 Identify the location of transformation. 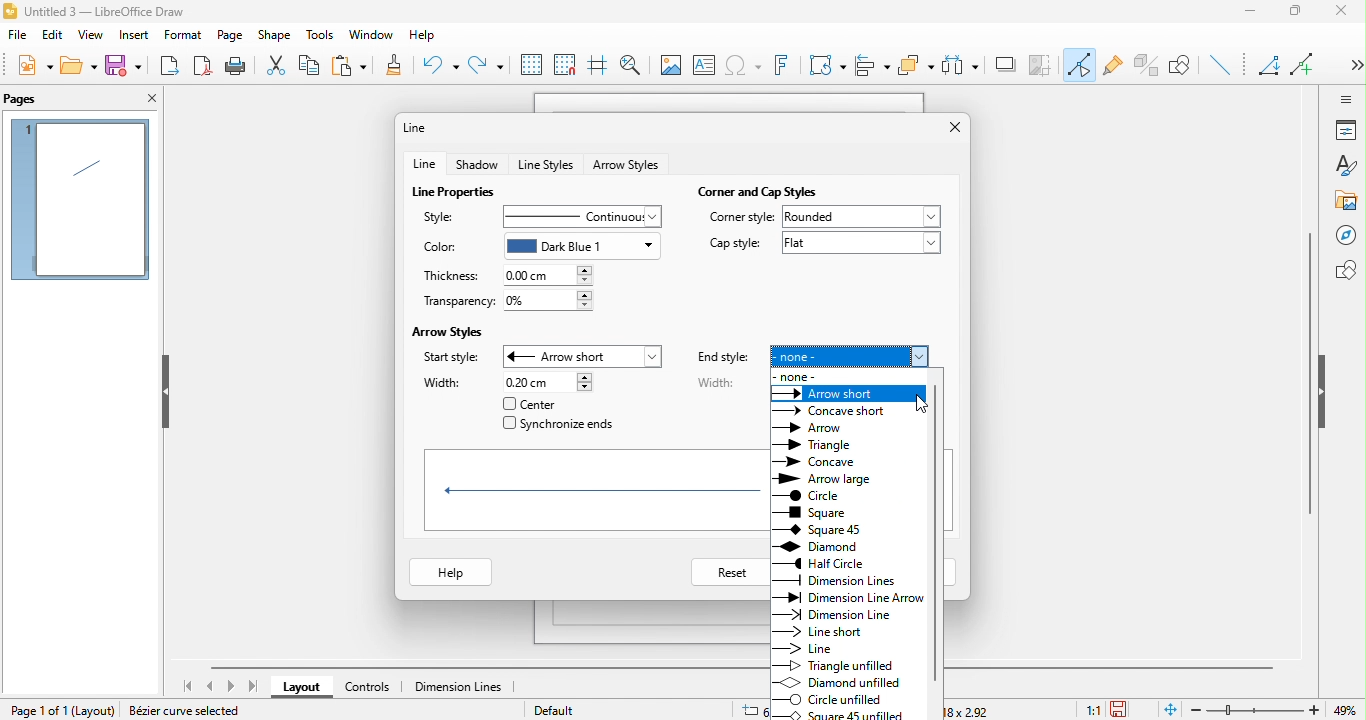
(827, 65).